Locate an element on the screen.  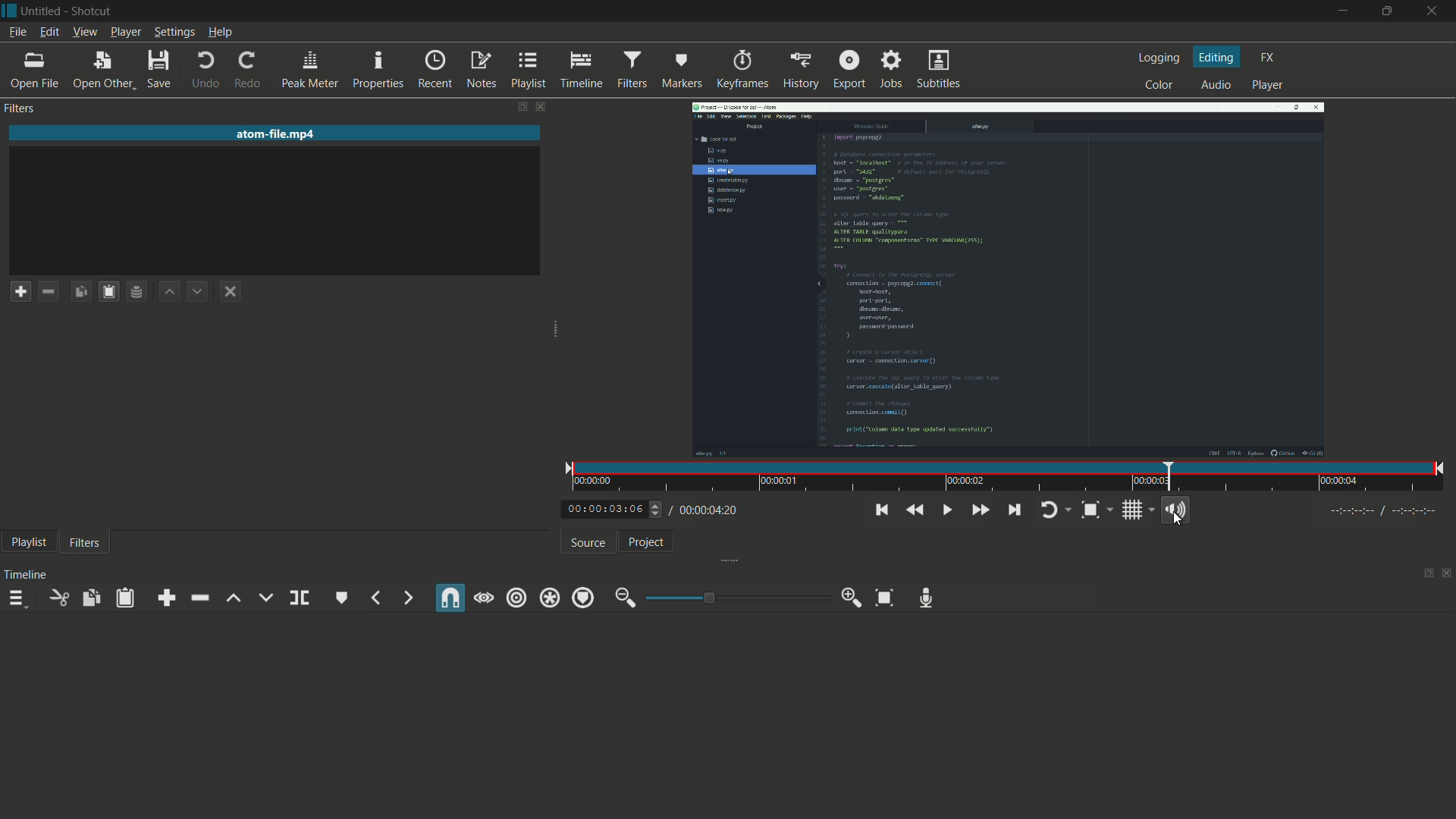
move filter down is located at coordinates (198, 293).